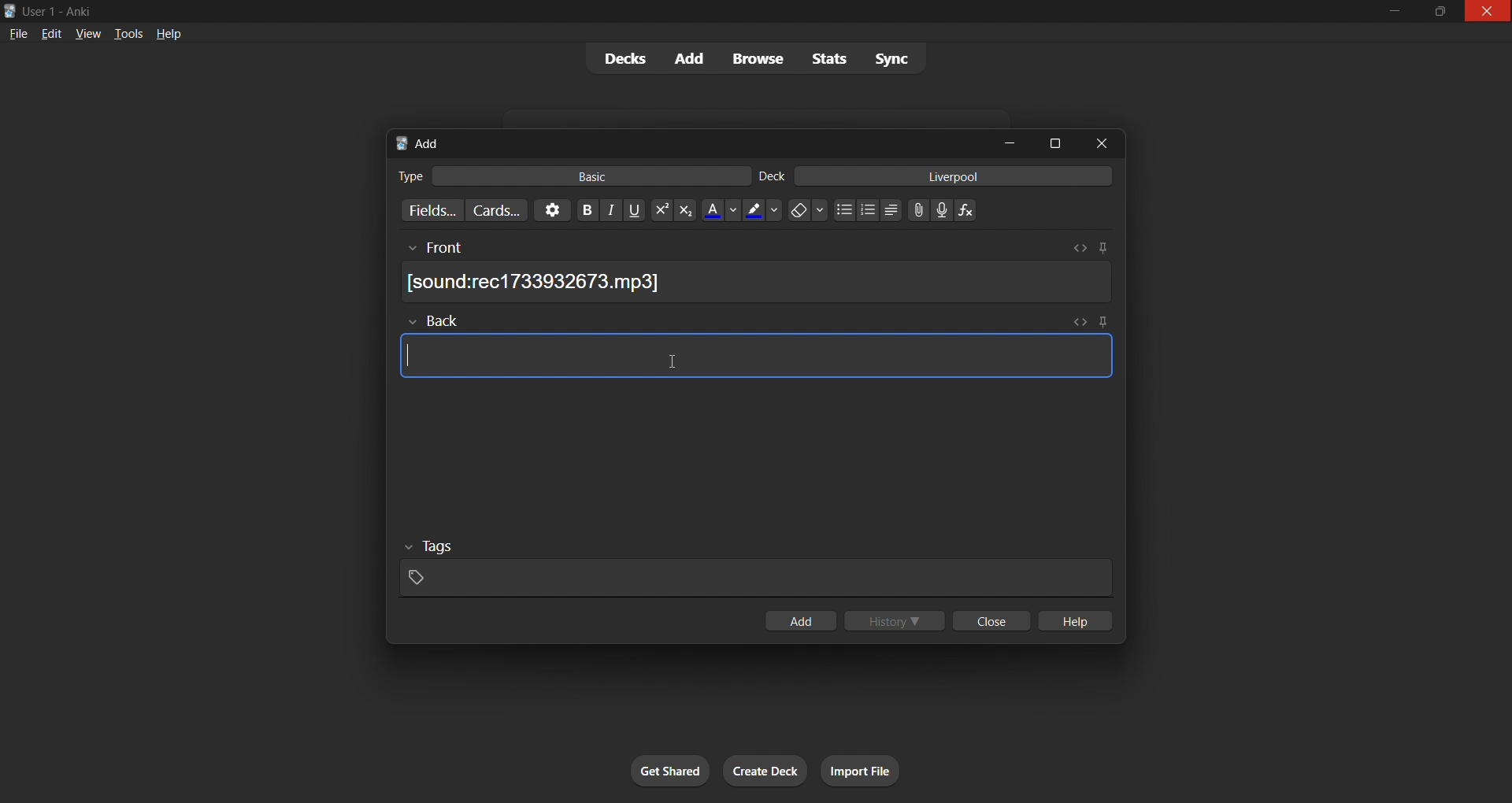 Image resolution: width=1512 pixels, height=803 pixels. I want to click on alignment, so click(893, 209).